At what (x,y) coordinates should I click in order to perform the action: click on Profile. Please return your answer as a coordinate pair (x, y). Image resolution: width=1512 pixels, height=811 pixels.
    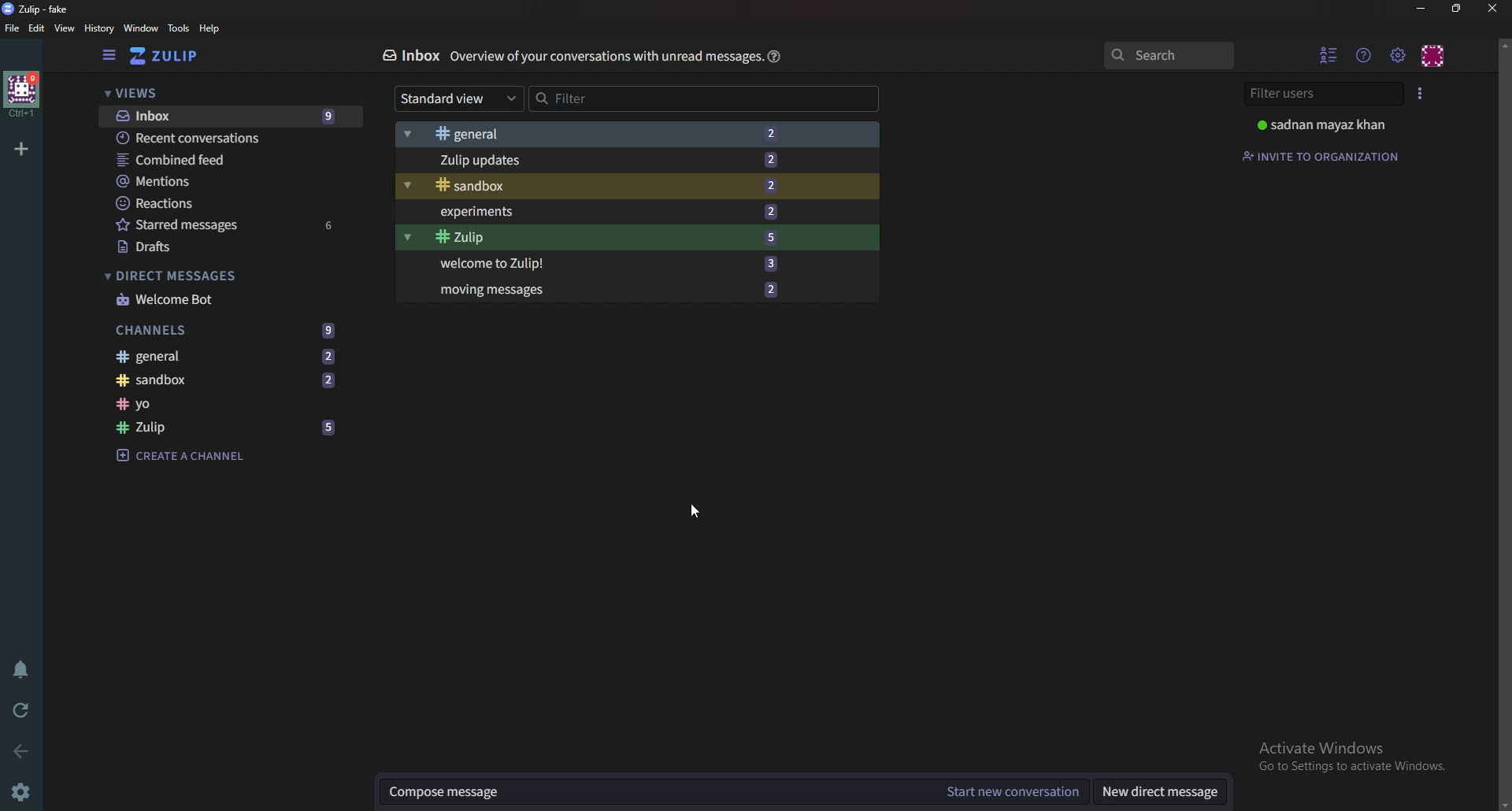
    Looking at the image, I should click on (1332, 124).